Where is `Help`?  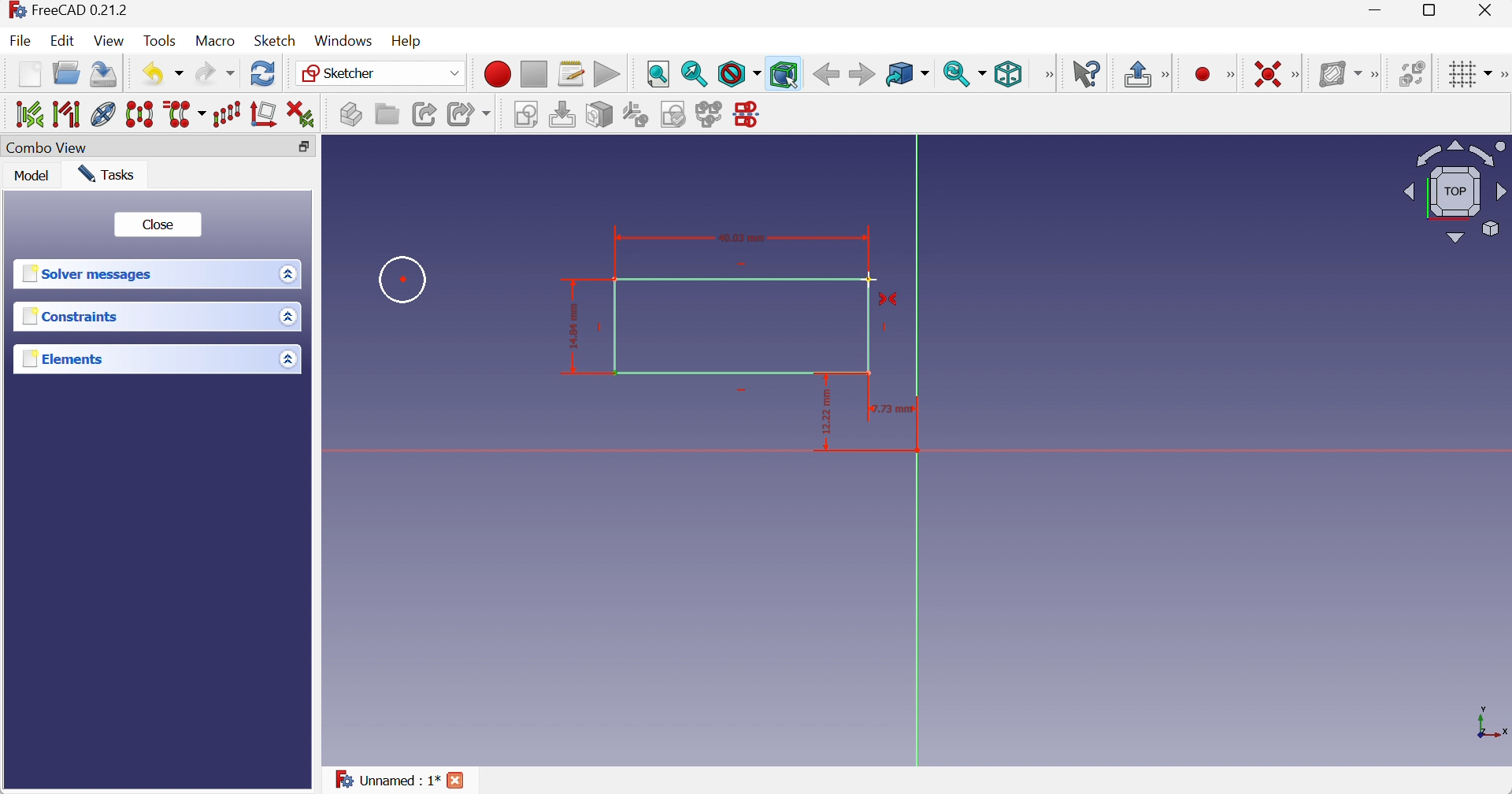 Help is located at coordinates (408, 42).